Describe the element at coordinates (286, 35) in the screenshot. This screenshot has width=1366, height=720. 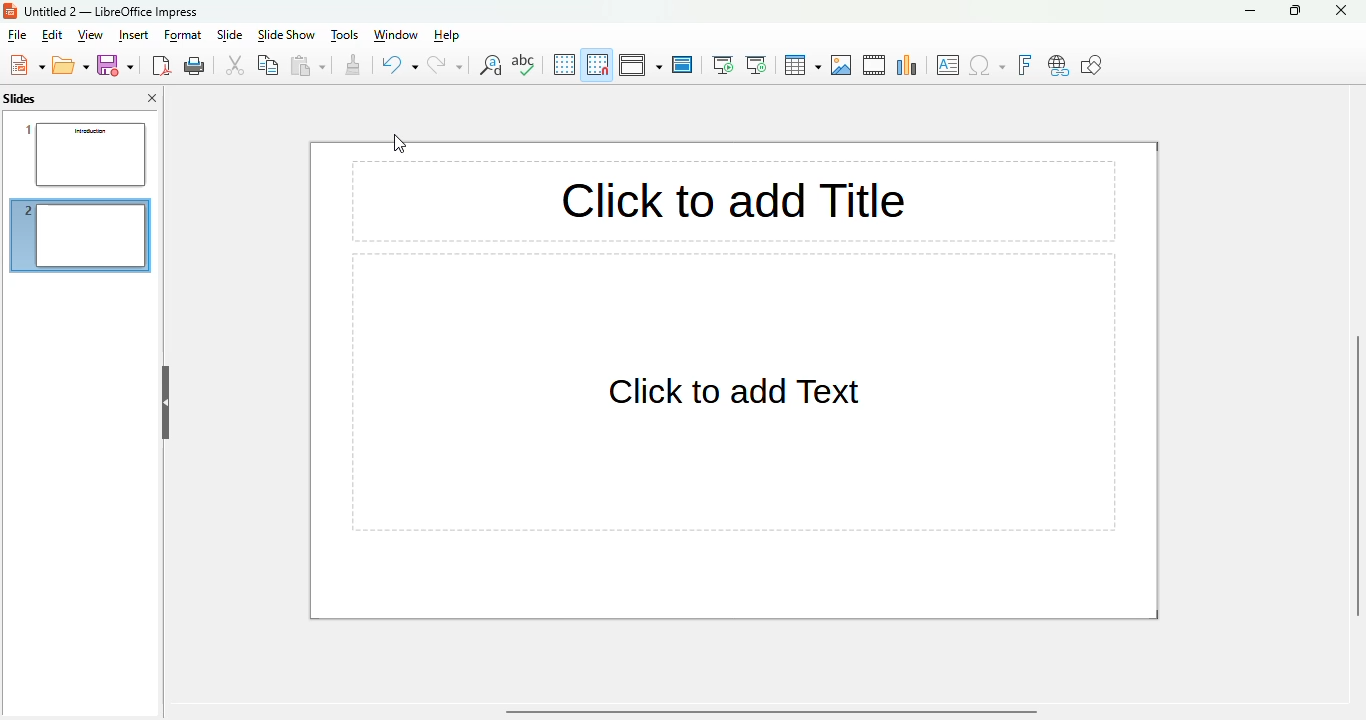
I see `slide show` at that location.